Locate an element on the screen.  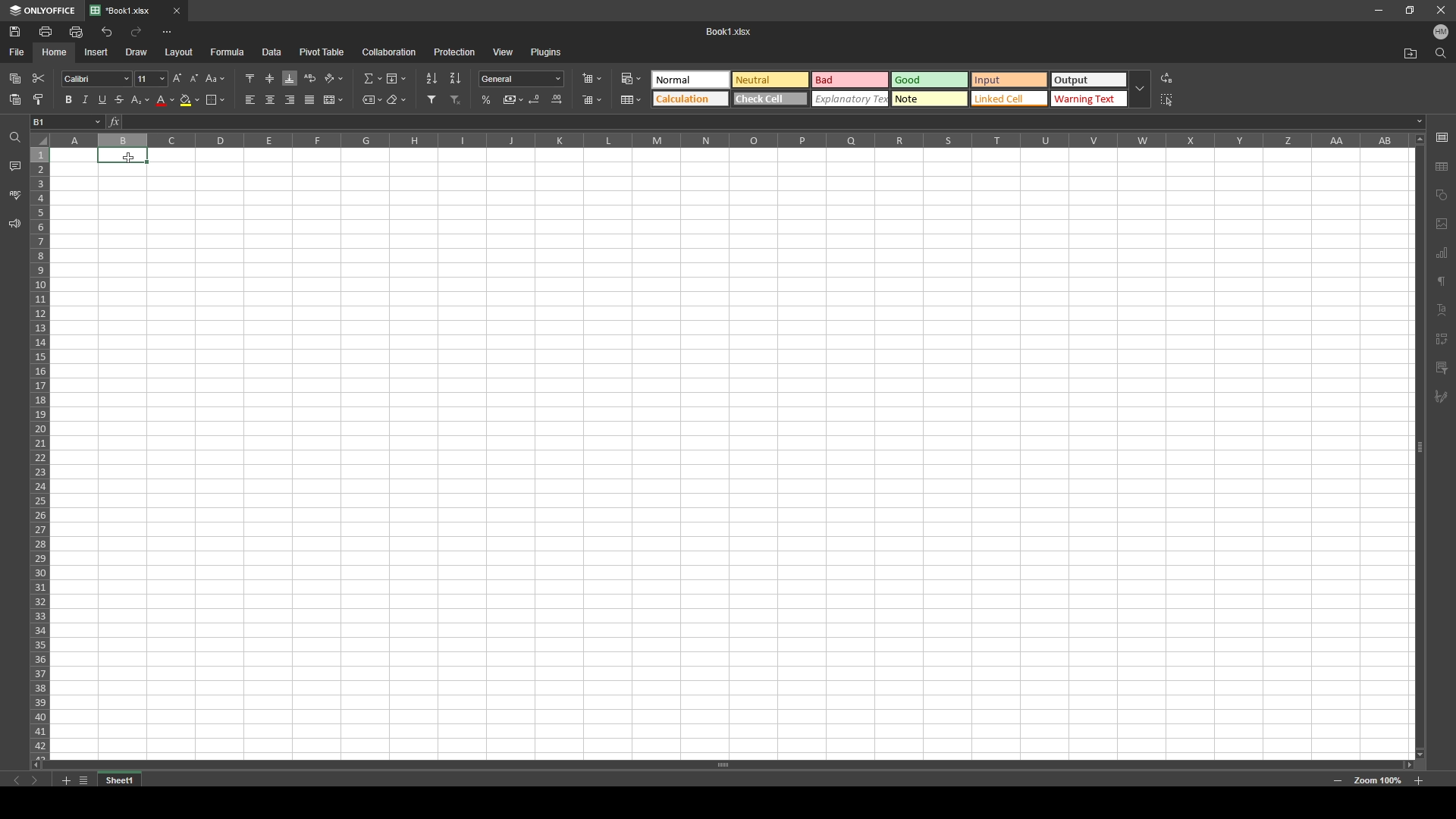
filter is located at coordinates (432, 99).